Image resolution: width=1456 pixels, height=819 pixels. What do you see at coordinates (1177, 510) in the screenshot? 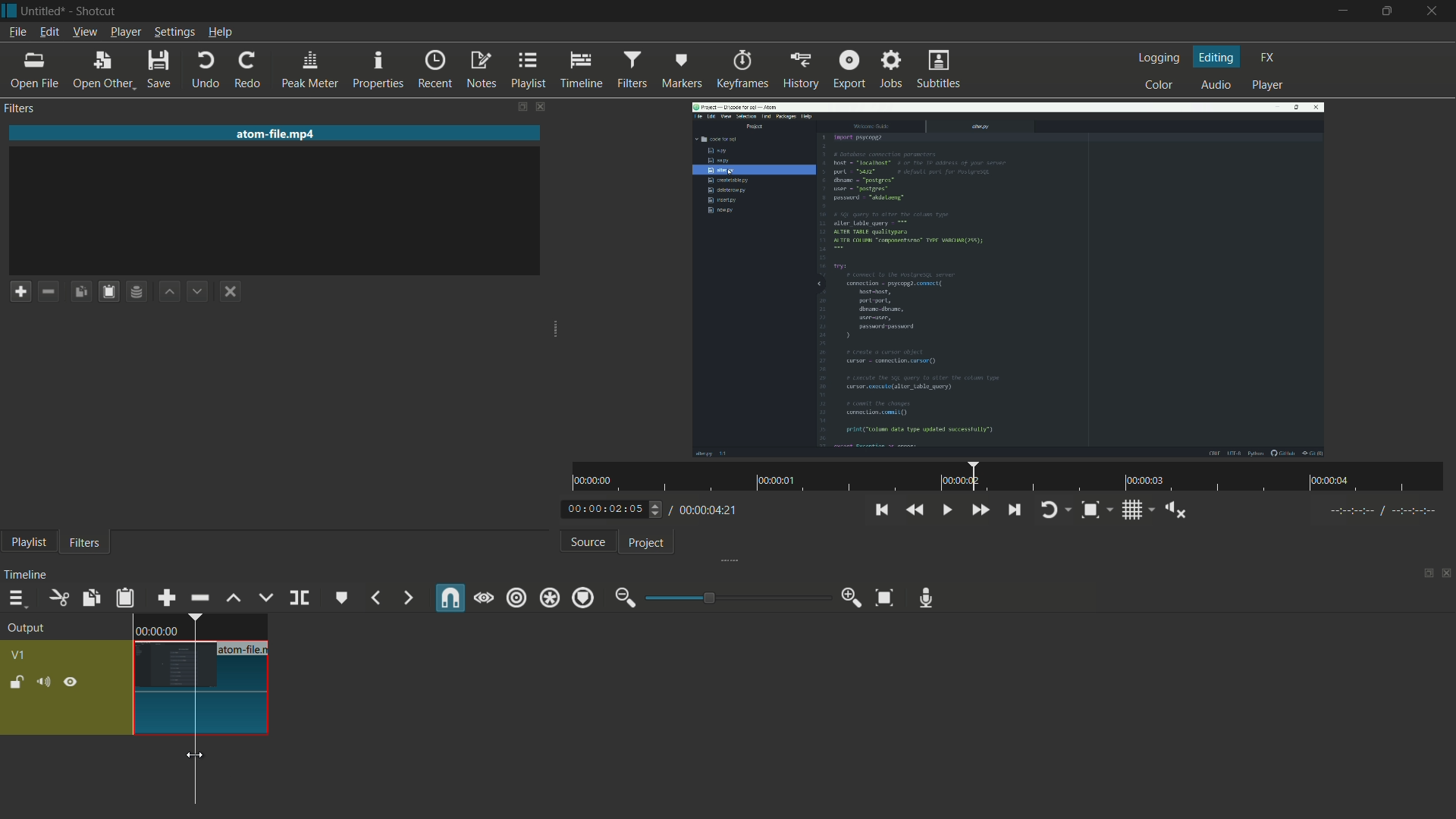
I see `shoe volume control` at bounding box center [1177, 510].